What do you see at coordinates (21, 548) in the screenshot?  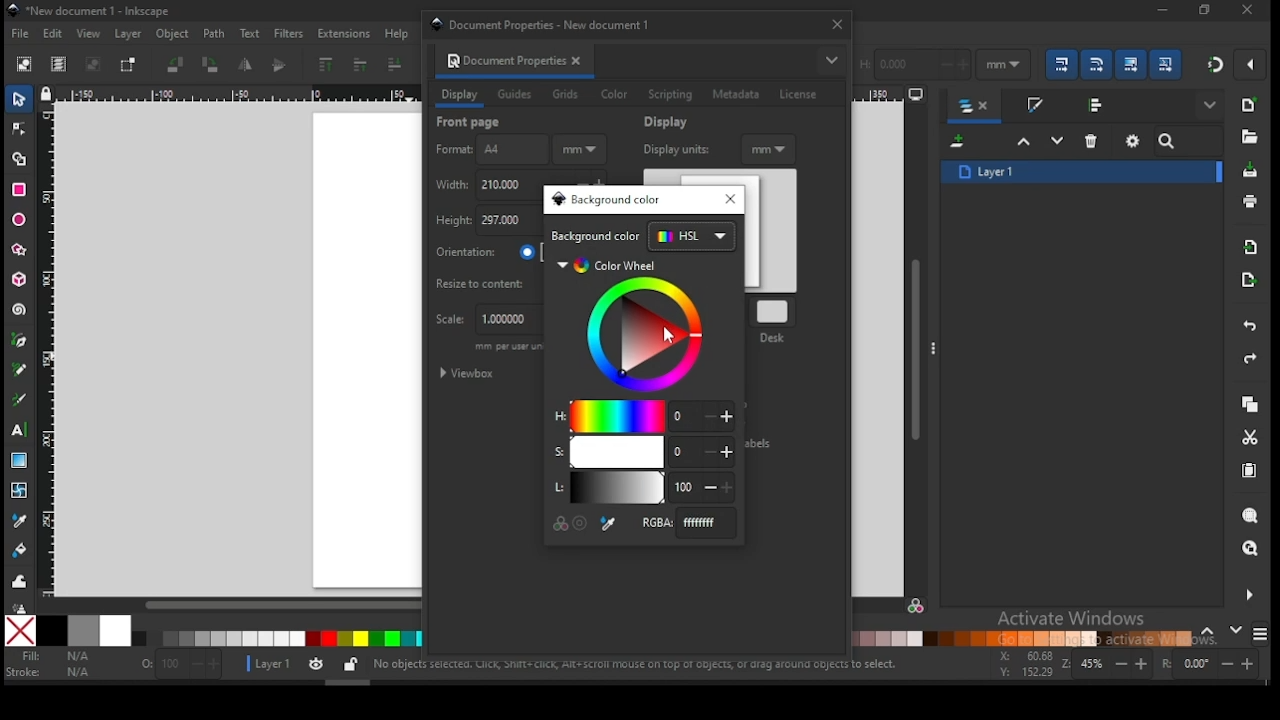 I see `paint bucket tool` at bounding box center [21, 548].